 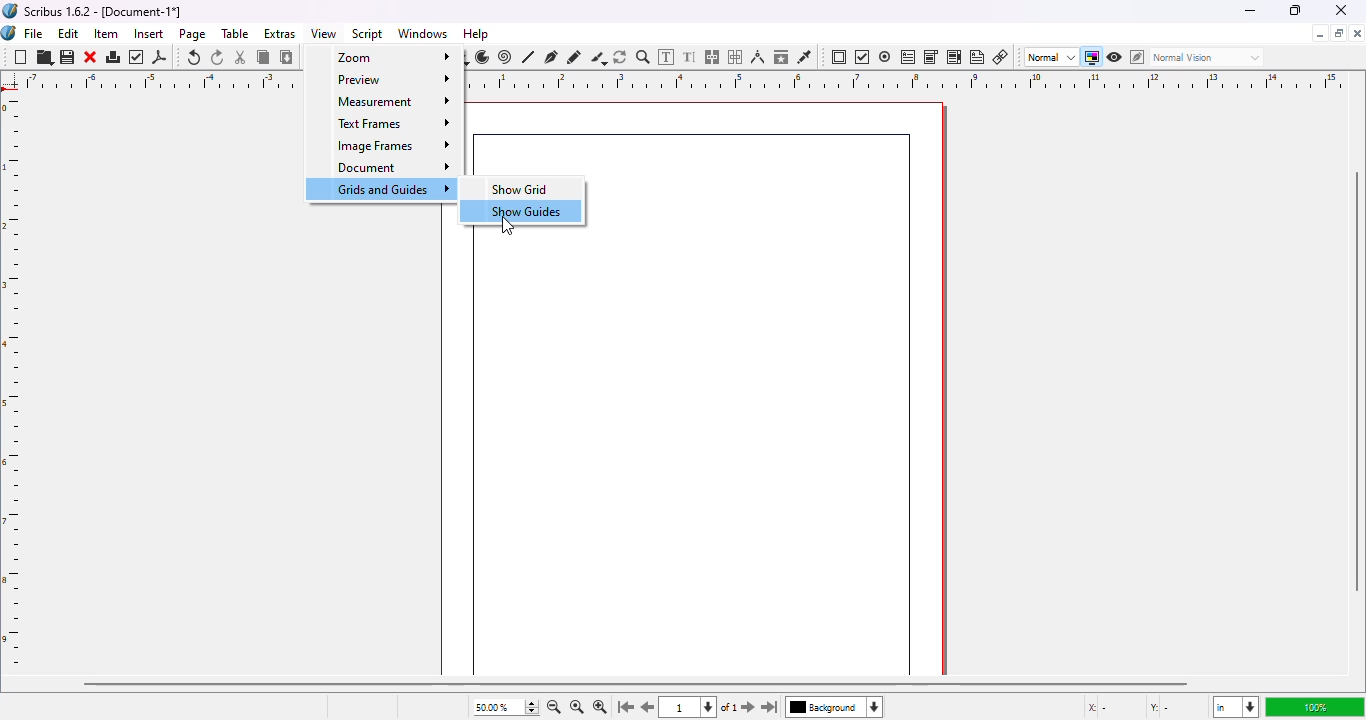 I want to click on freehand line, so click(x=574, y=57).